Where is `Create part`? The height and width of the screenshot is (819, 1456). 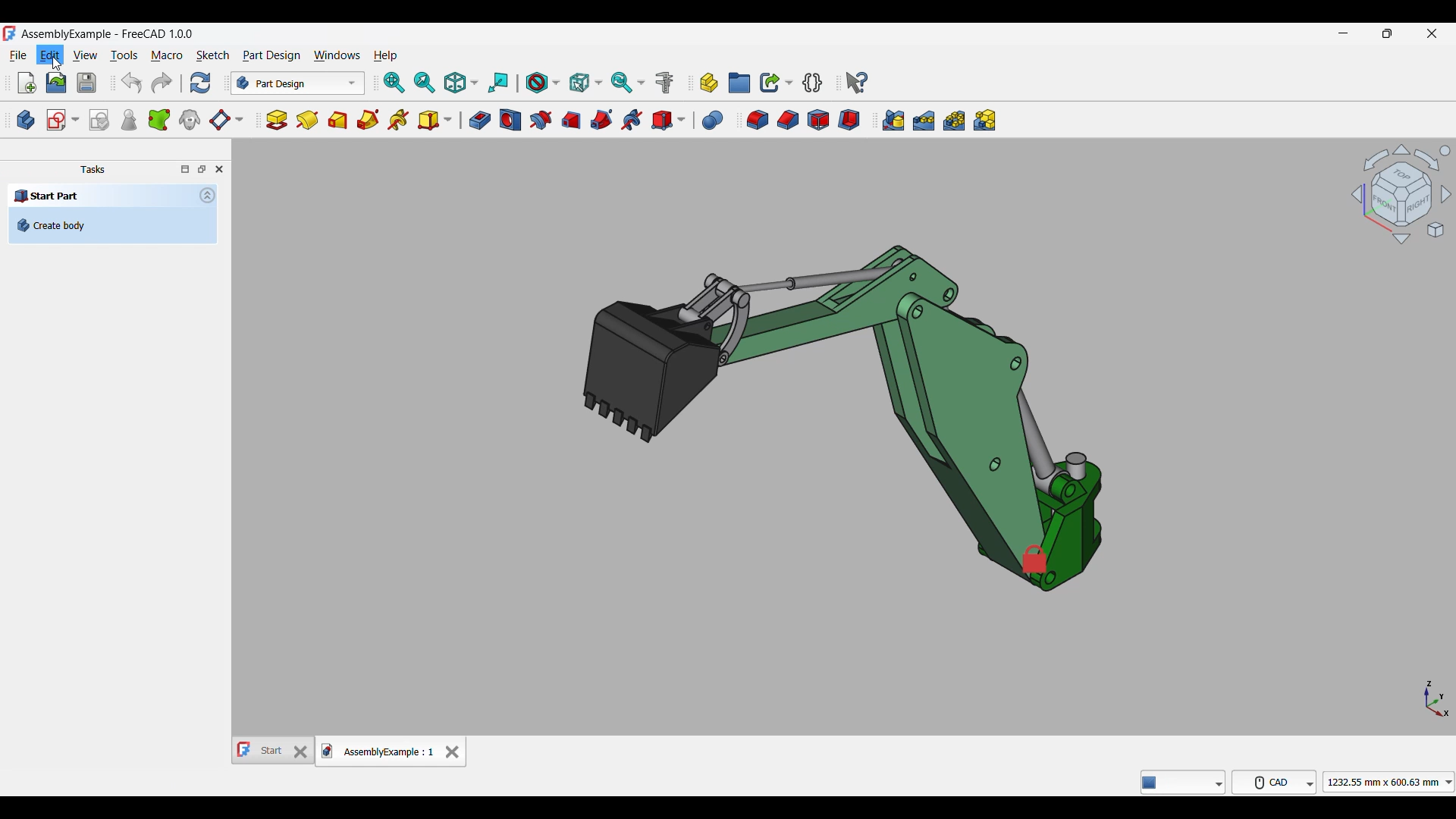 Create part is located at coordinates (710, 83).